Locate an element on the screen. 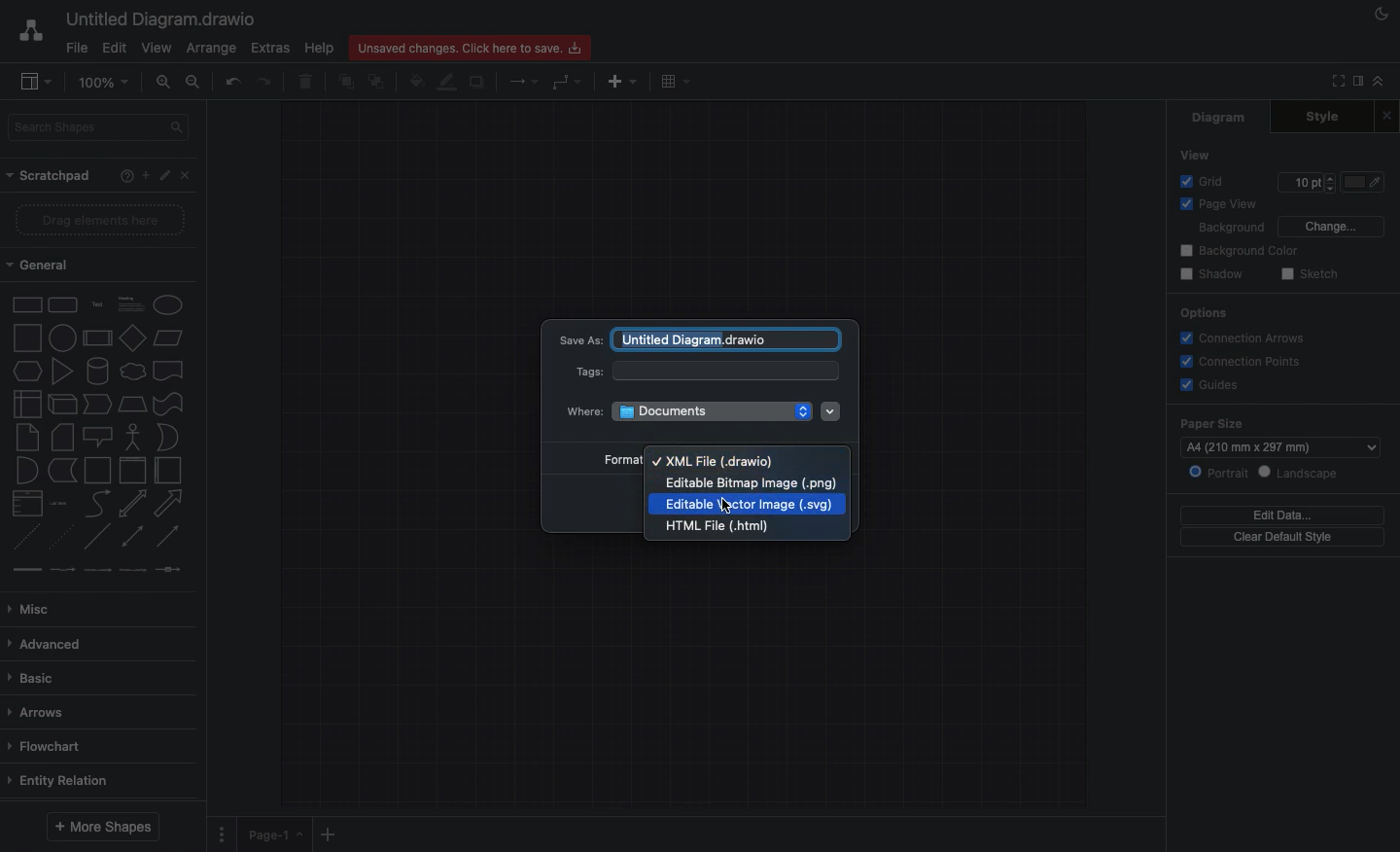 Image resolution: width=1400 pixels, height=852 pixels. Sketch is located at coordinates (1312, 274).